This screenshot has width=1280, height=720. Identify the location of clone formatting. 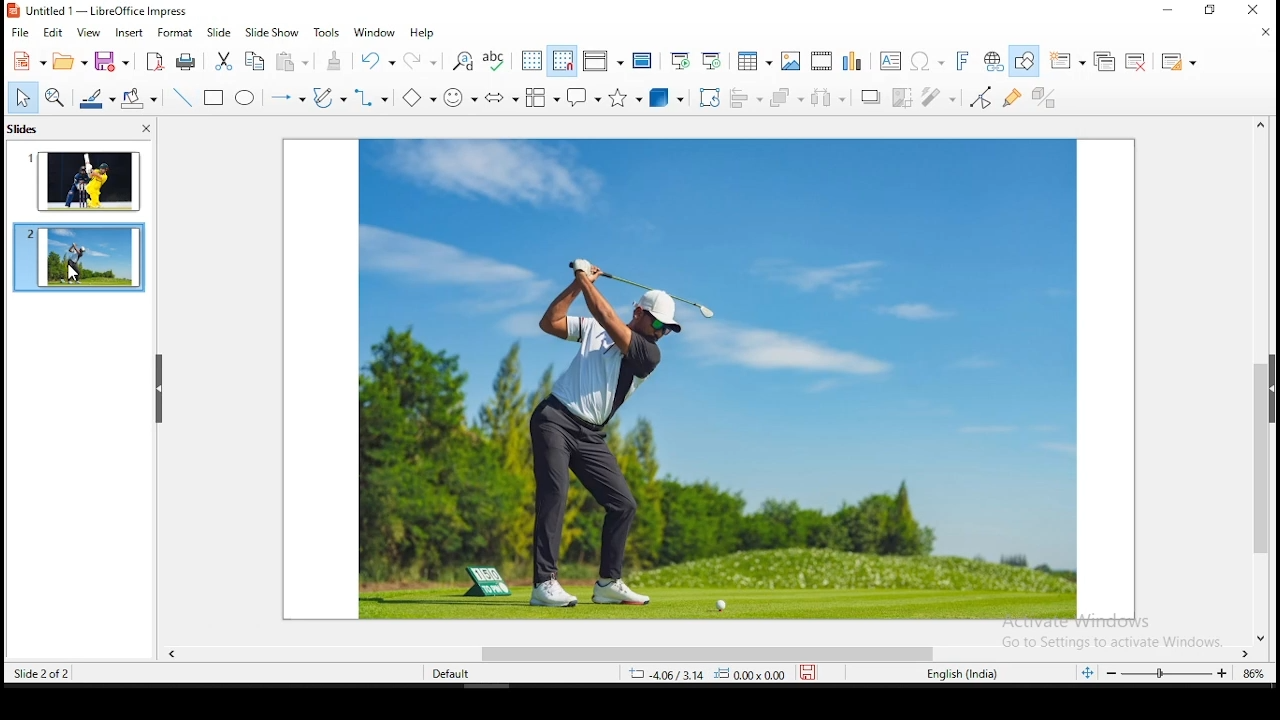
(333, 61).